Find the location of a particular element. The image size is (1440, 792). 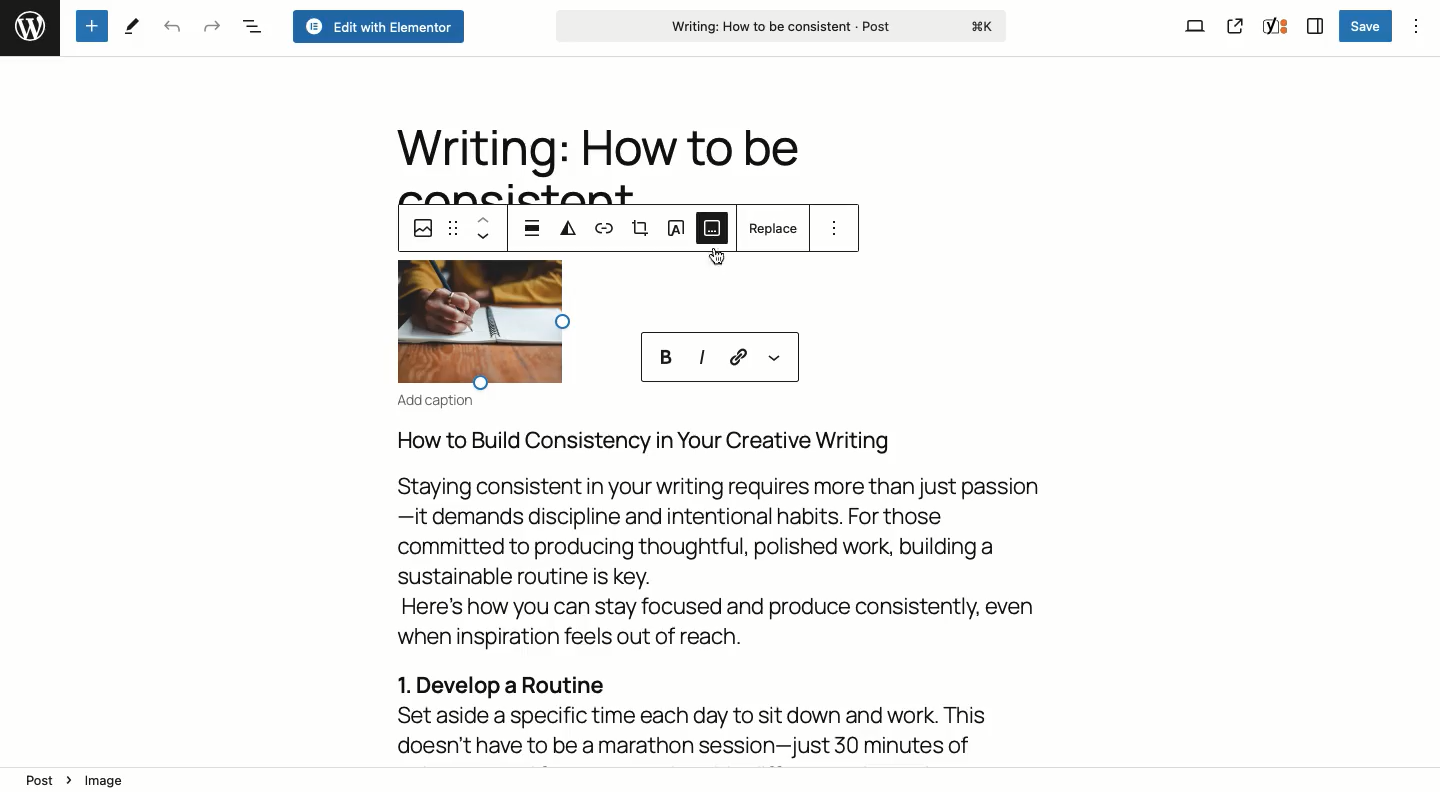

Document overview is located at coordinates (251, 25).